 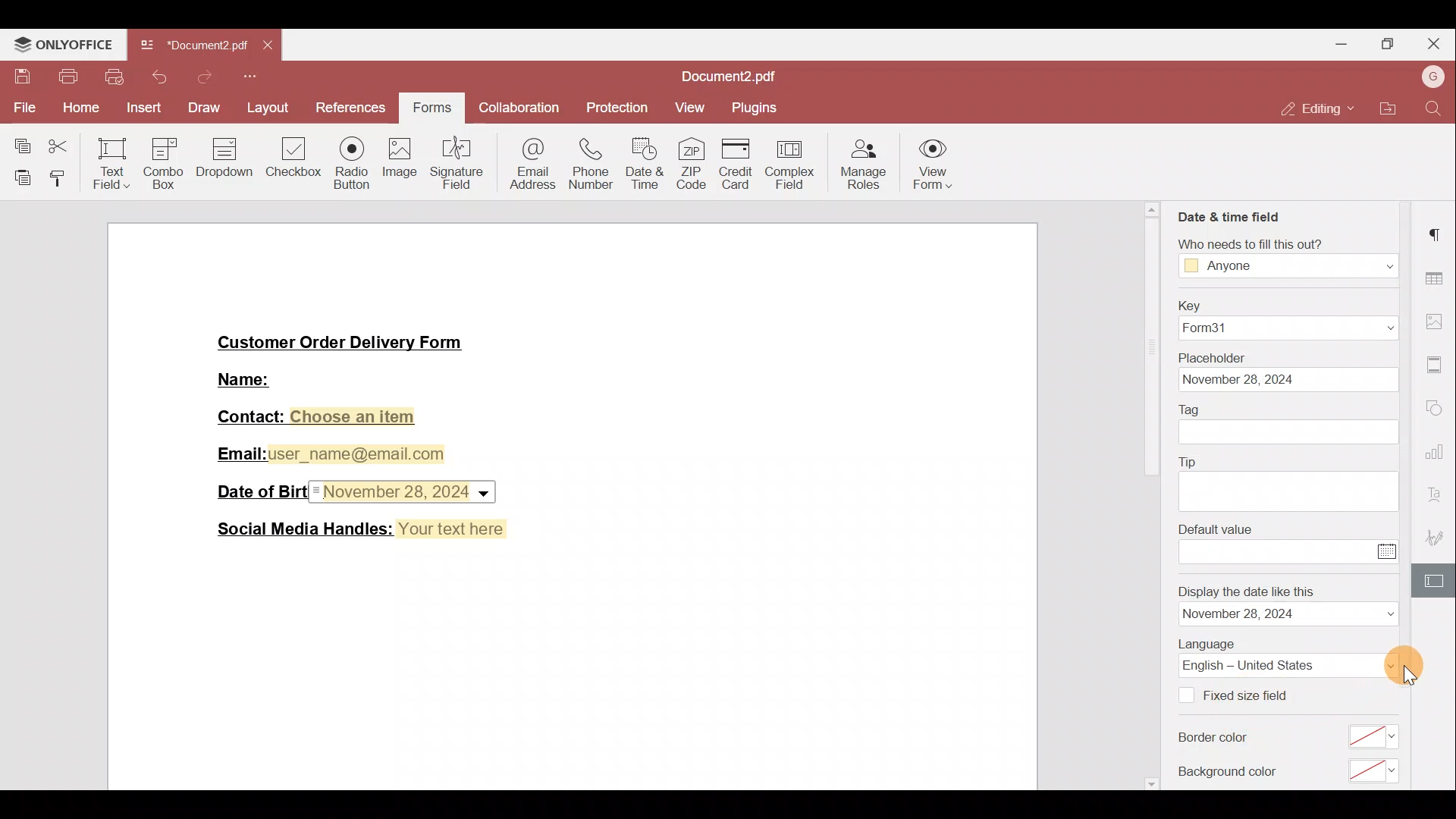 What do you see at coordinates (400, 163) in the screenshot?
I see `Image` at bounding box center [400, 163].